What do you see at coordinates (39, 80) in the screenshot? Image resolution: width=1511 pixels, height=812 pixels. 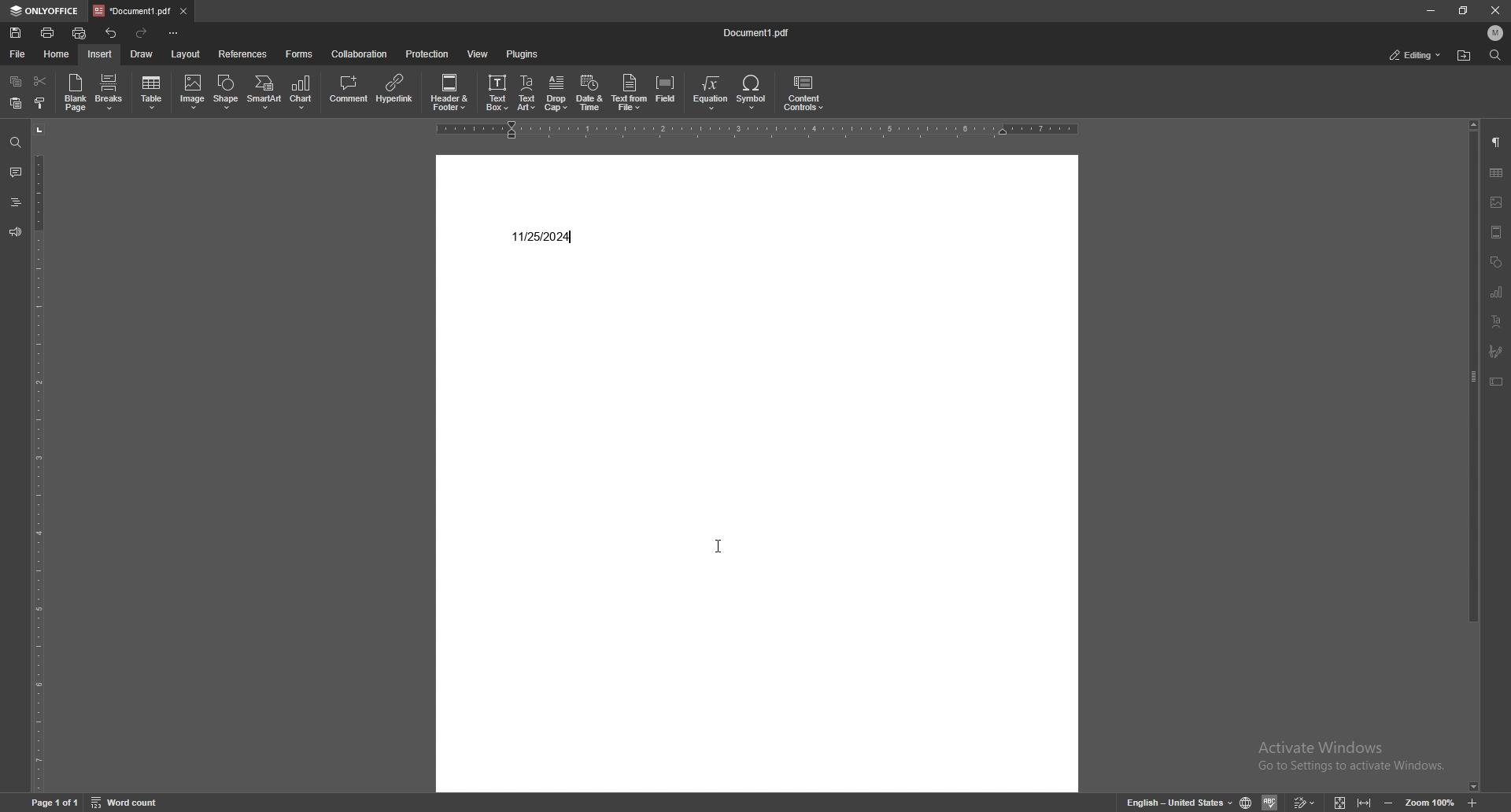 I see `cut` at bounding box center [39, 80].